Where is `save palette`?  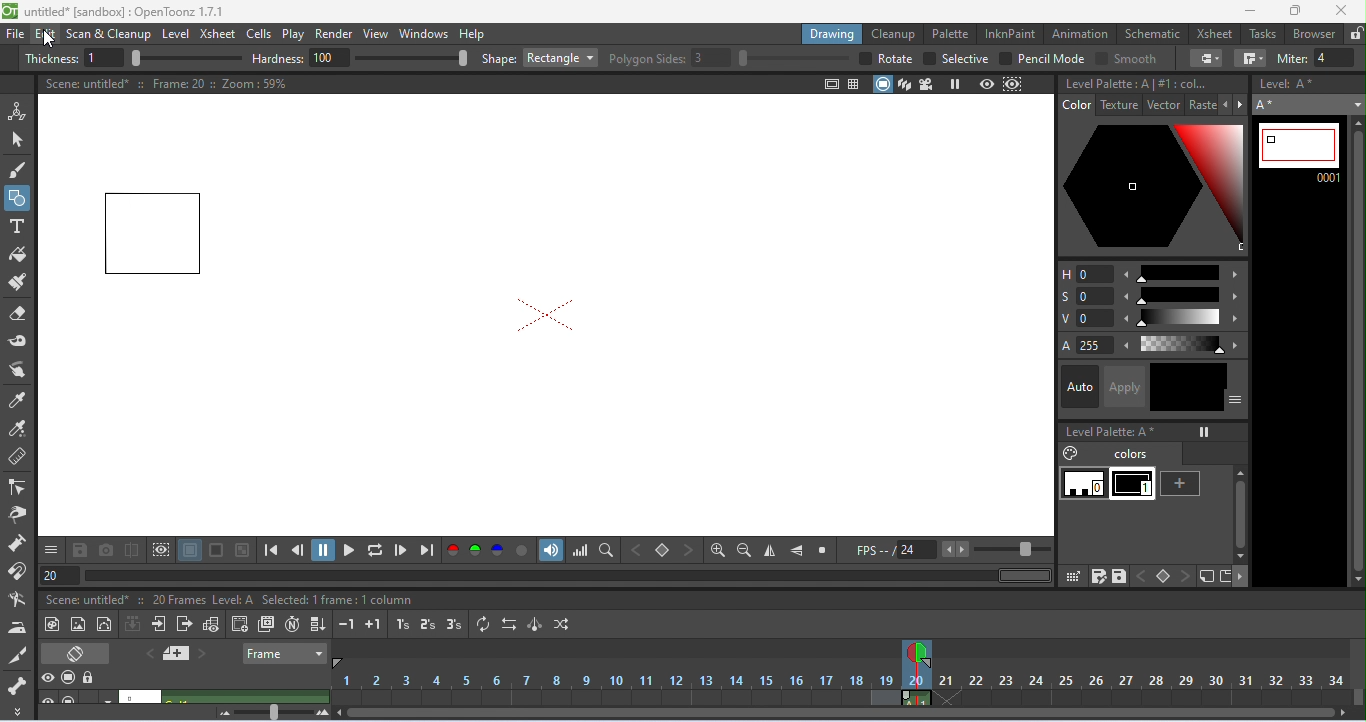
save palette is located at coordinates (1119, 578).